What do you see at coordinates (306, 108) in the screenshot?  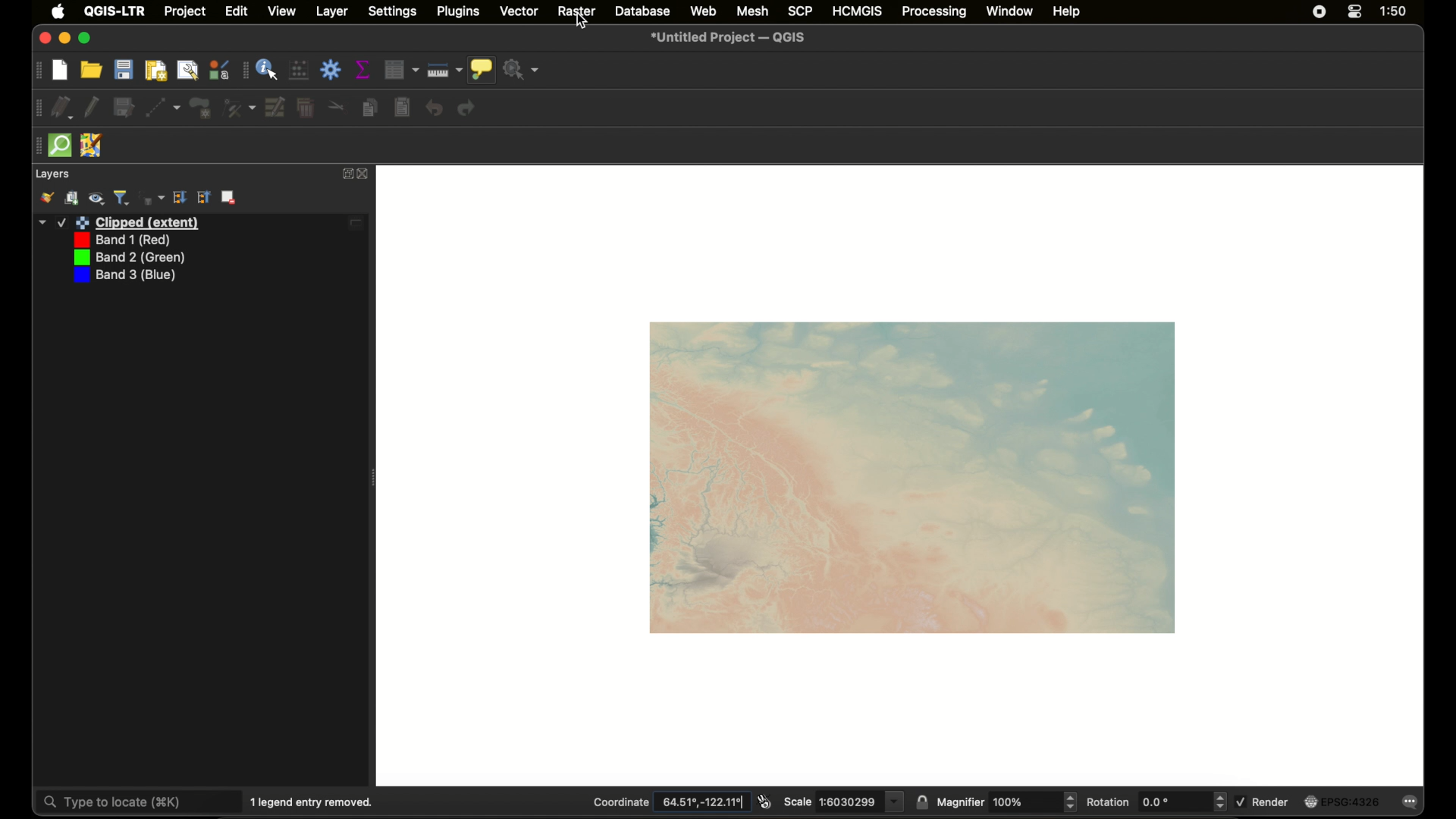 I see `delete selected` at bounding box center [306, 108].